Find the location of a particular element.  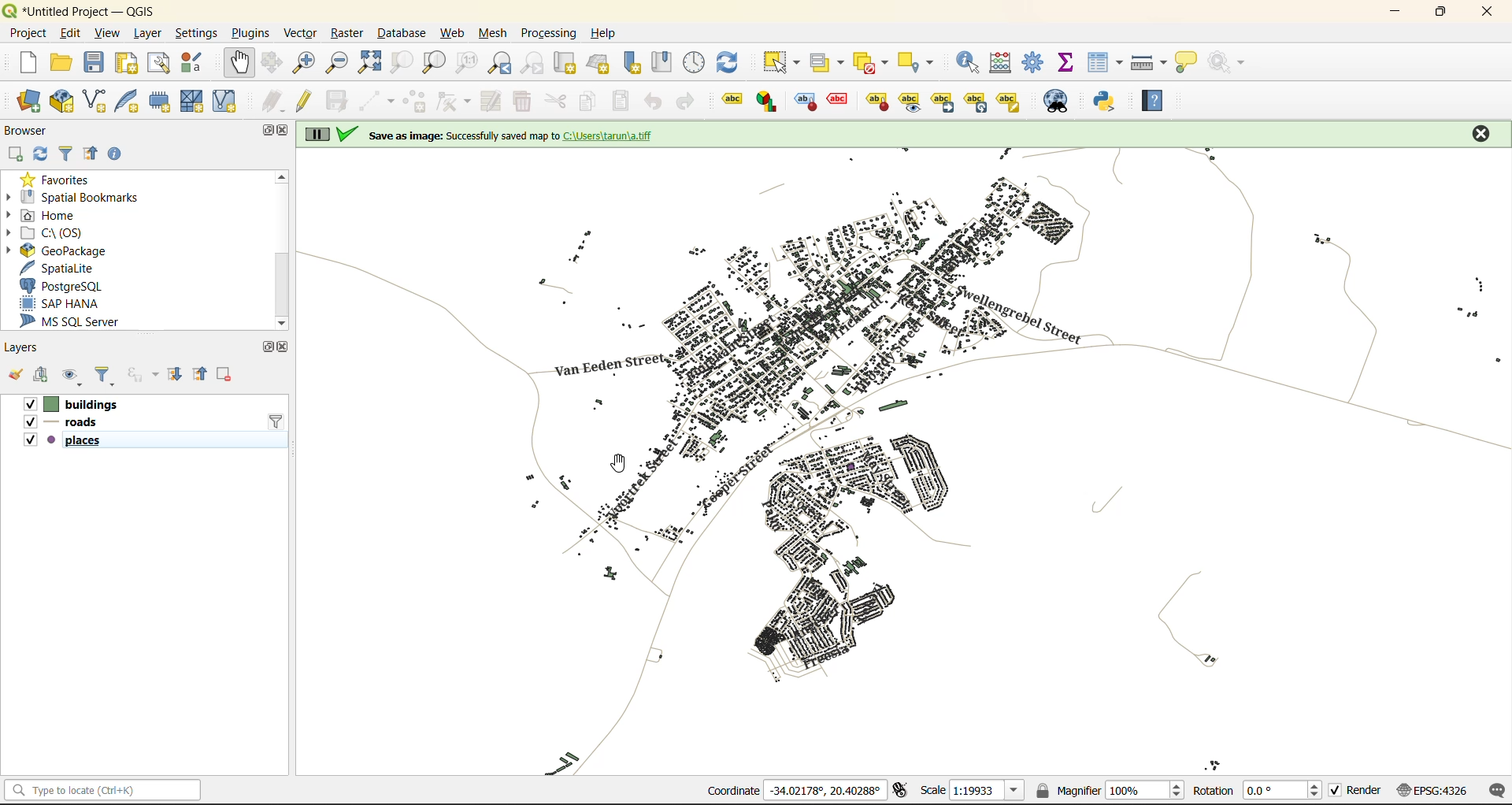

favorites is located at coordinates (62, 179).